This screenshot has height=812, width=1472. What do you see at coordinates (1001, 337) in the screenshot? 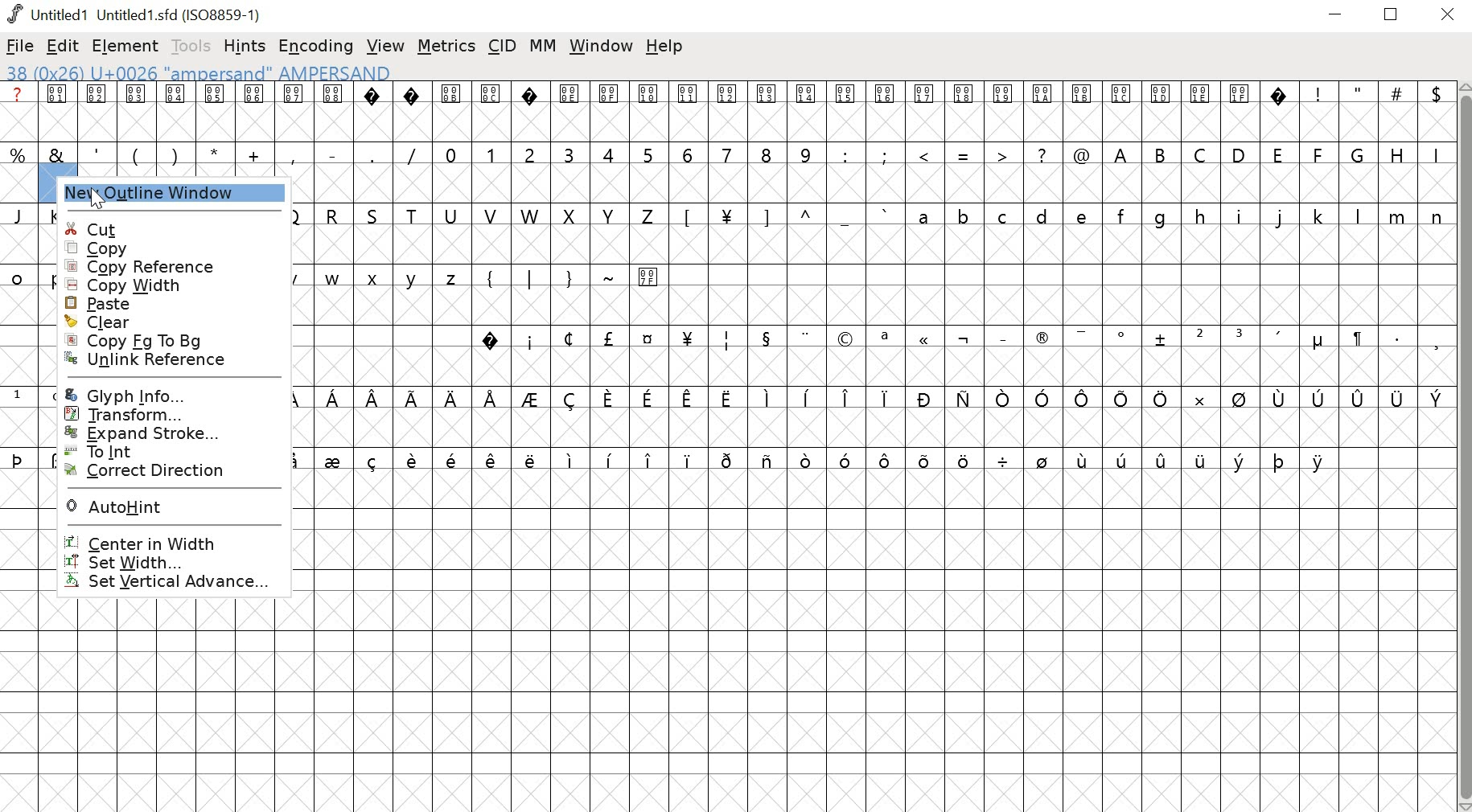
I see `_` at bounding box center [1001, 337].